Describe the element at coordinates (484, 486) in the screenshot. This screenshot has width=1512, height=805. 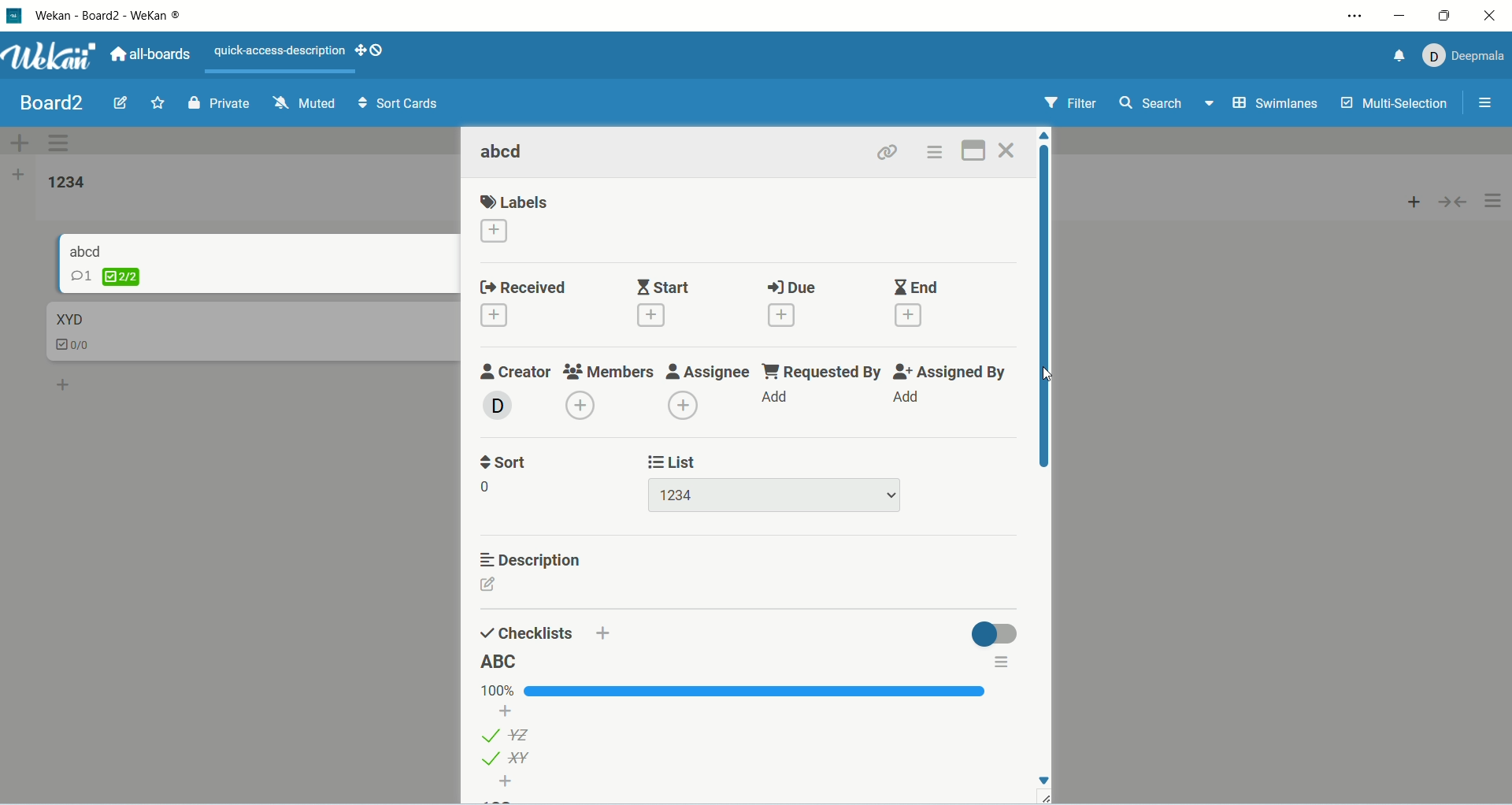
I see `0` at that location.